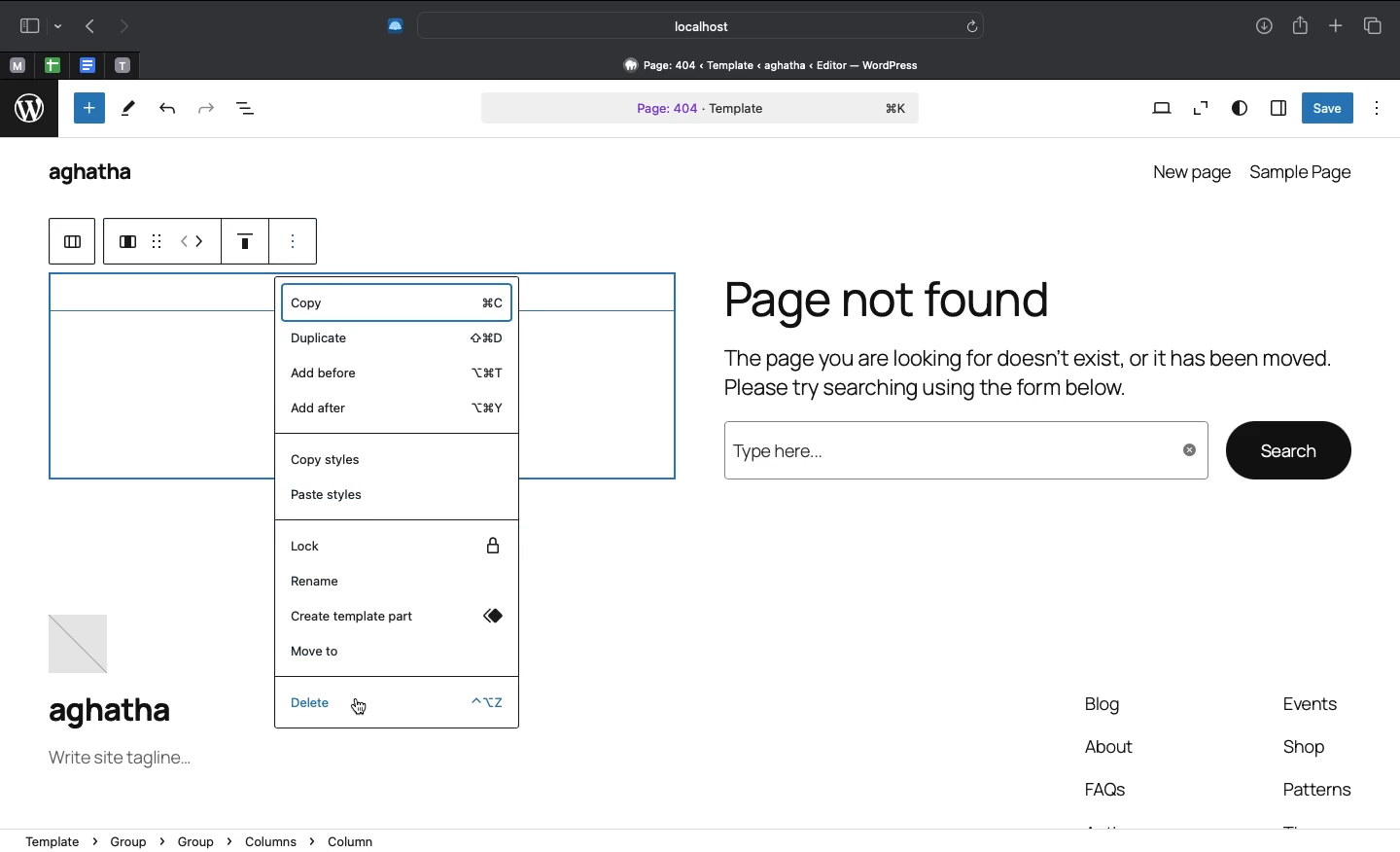 This screenshot has height=852, width=1400. What do you see at coordinates (205, 110) in the screenshot?
I see `Redo` at bounding box center [205, 110].